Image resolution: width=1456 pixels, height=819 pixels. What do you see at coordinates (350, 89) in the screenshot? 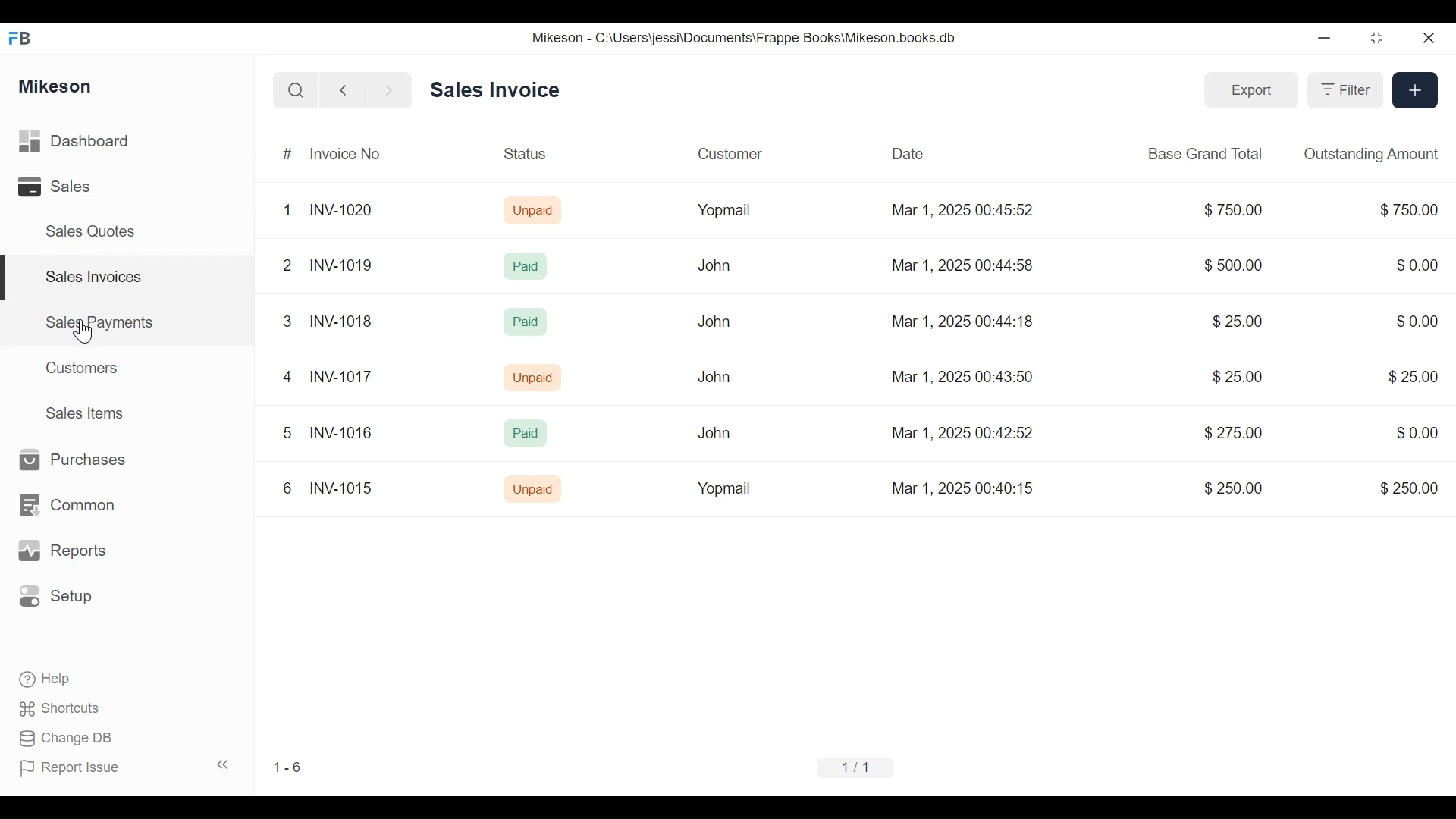
I see `Back` at bounding box center [350, 89].